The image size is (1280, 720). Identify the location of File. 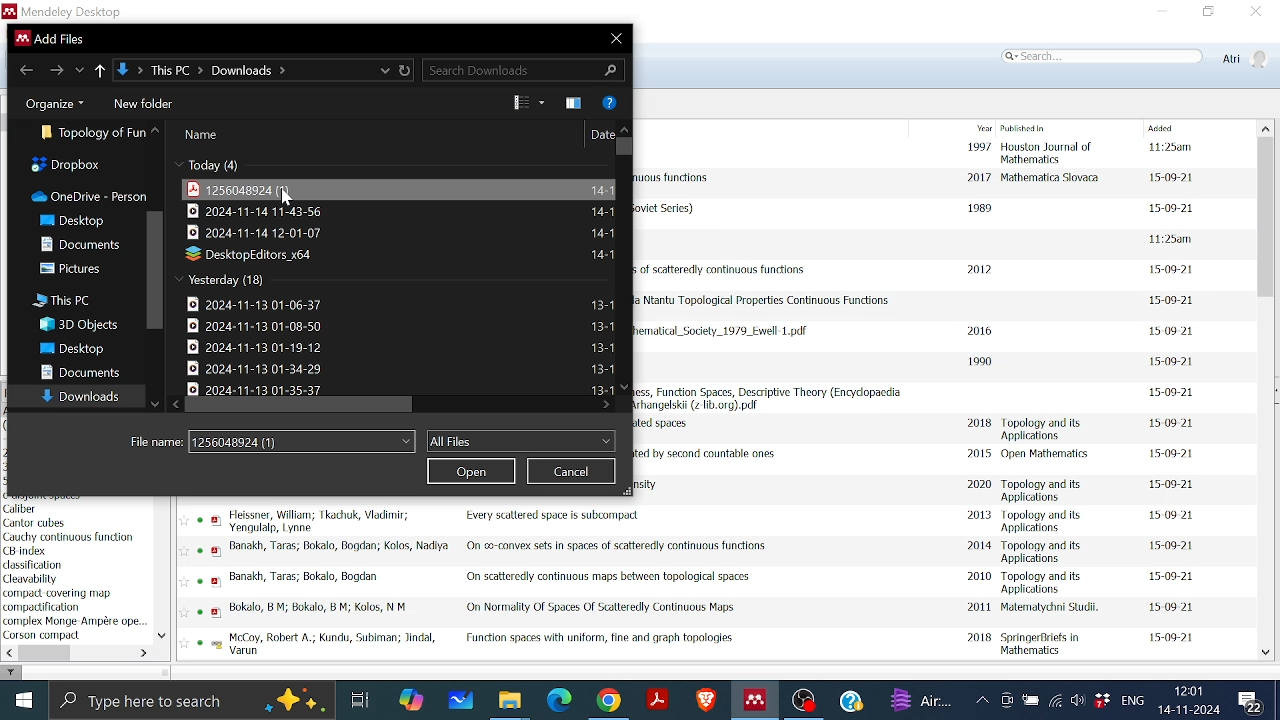
(256, 306).